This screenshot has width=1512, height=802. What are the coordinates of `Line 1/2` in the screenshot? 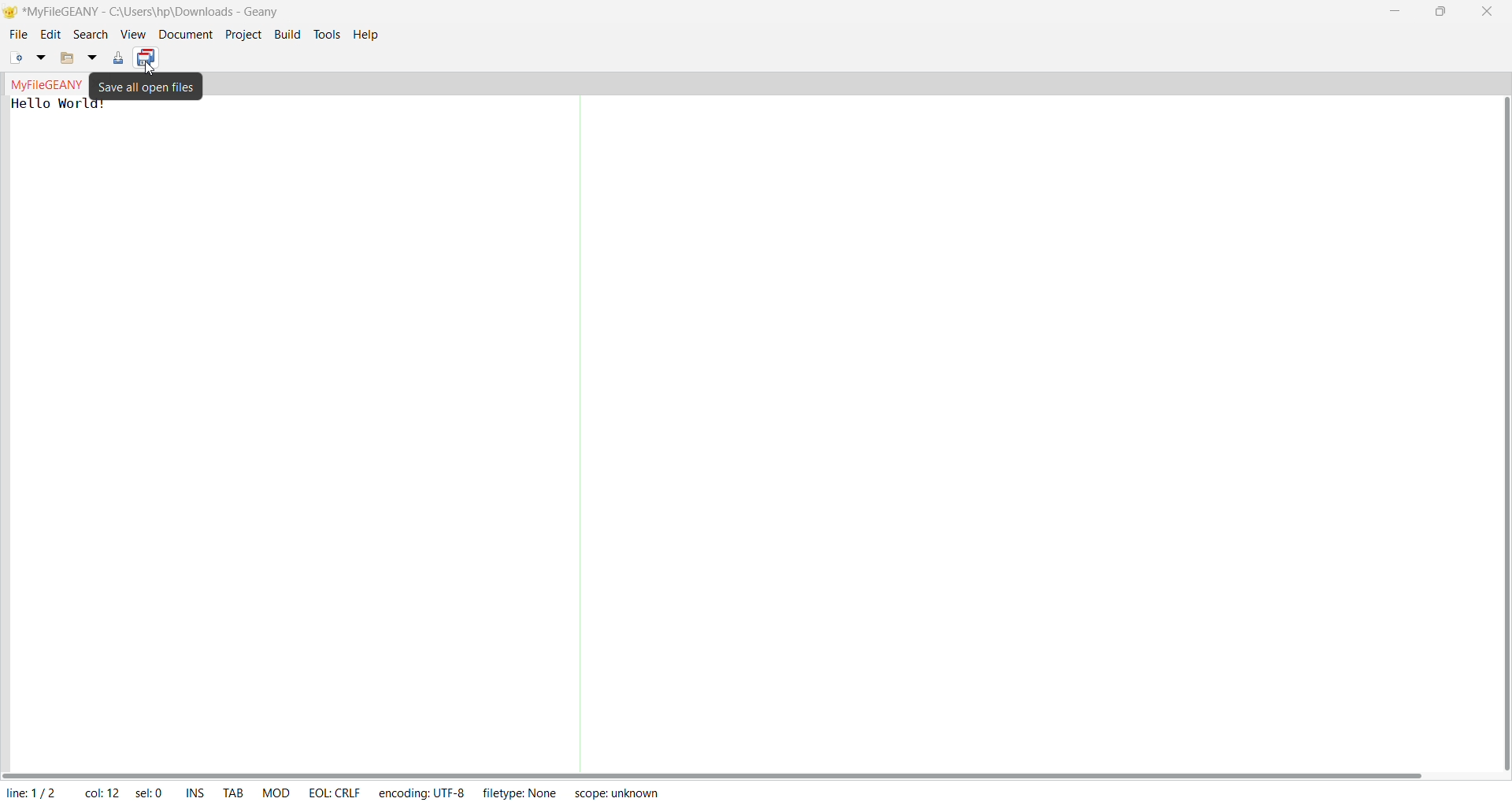 It's located at (39, 790).